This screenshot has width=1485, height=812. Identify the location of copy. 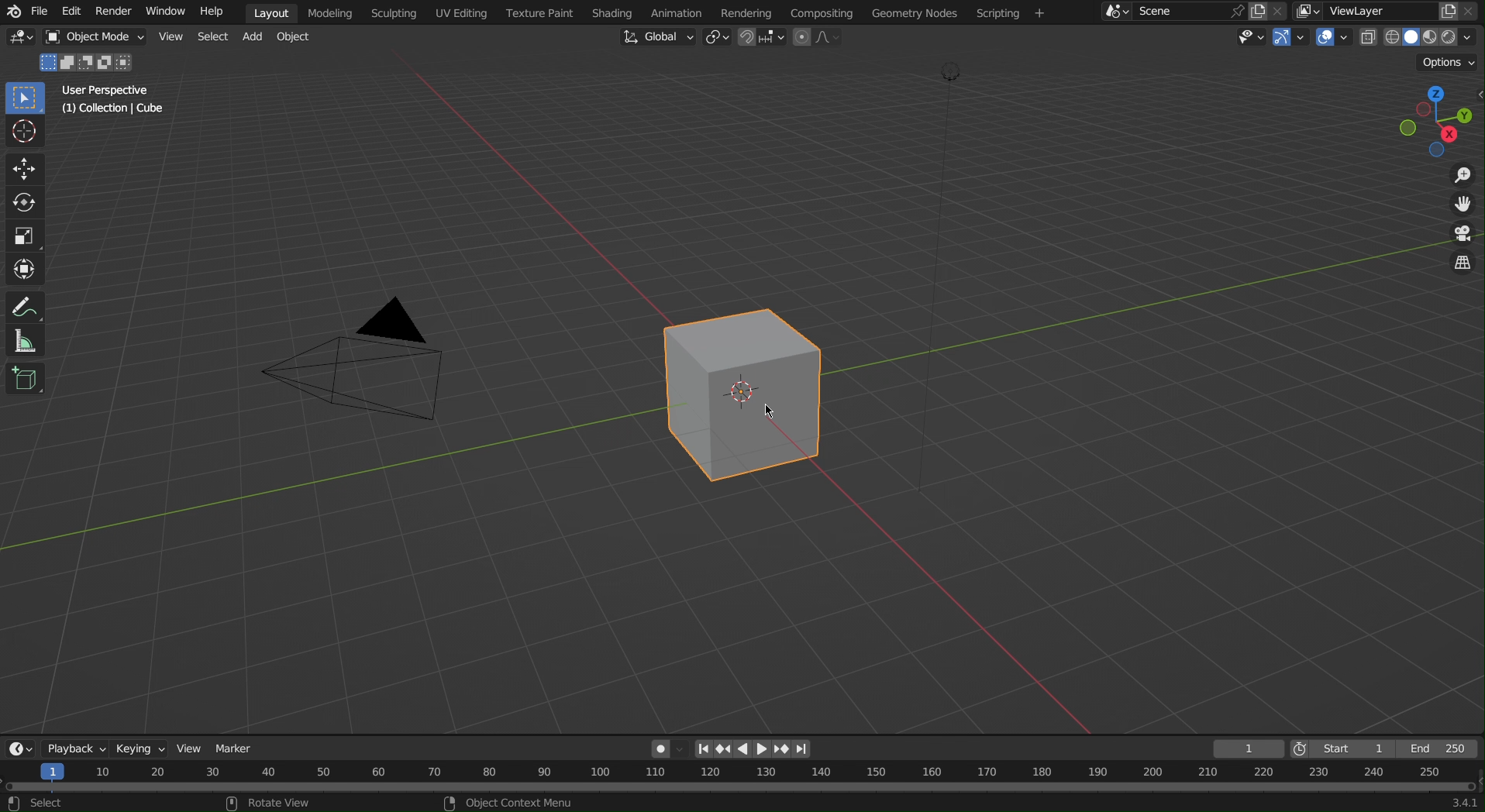
(1259, 11).